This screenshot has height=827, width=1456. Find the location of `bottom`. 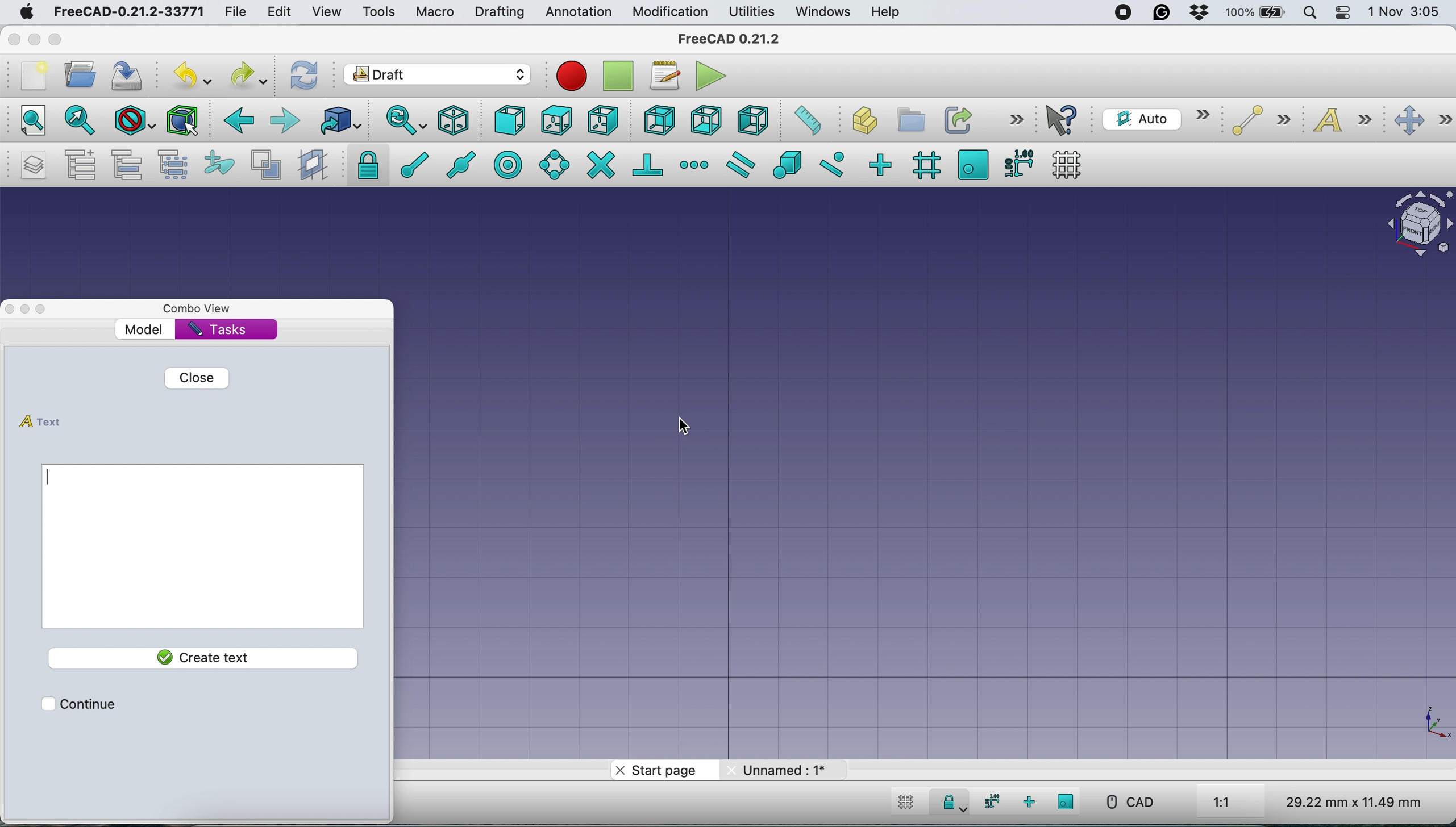

bottom is located at coordinates (702, 121).